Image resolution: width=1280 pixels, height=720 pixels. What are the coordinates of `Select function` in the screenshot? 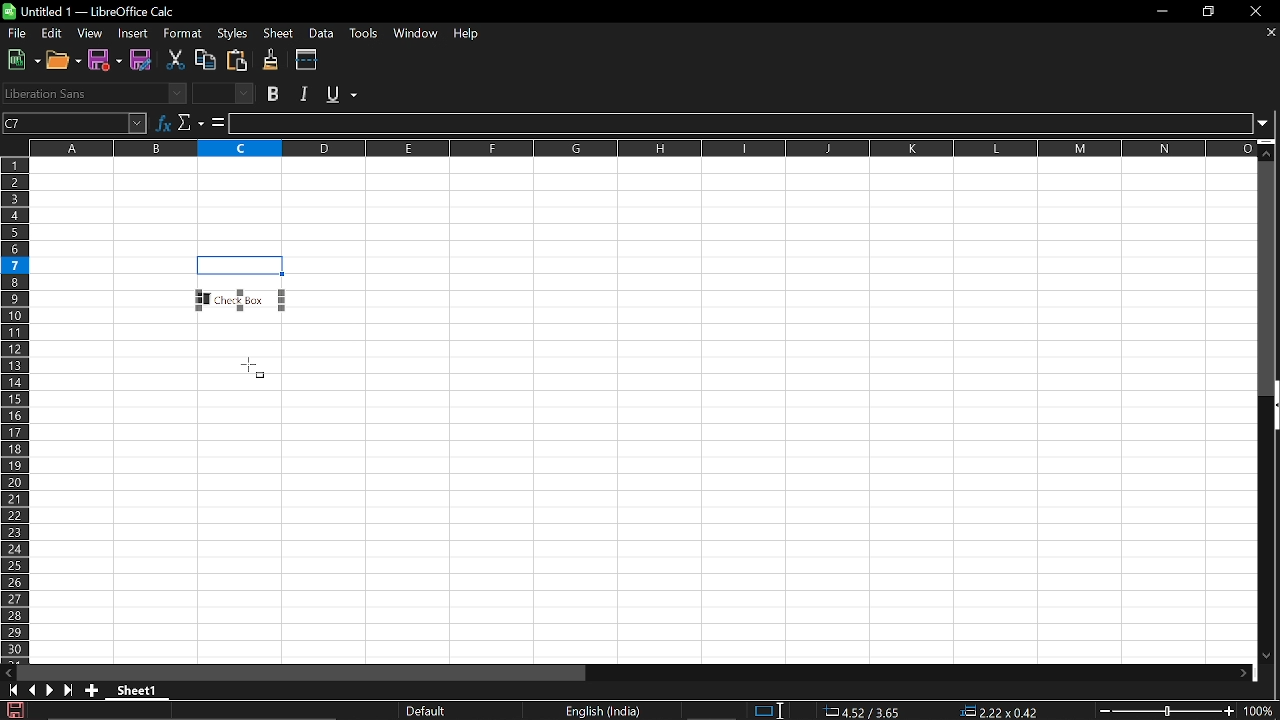 It's located at (191, 122).